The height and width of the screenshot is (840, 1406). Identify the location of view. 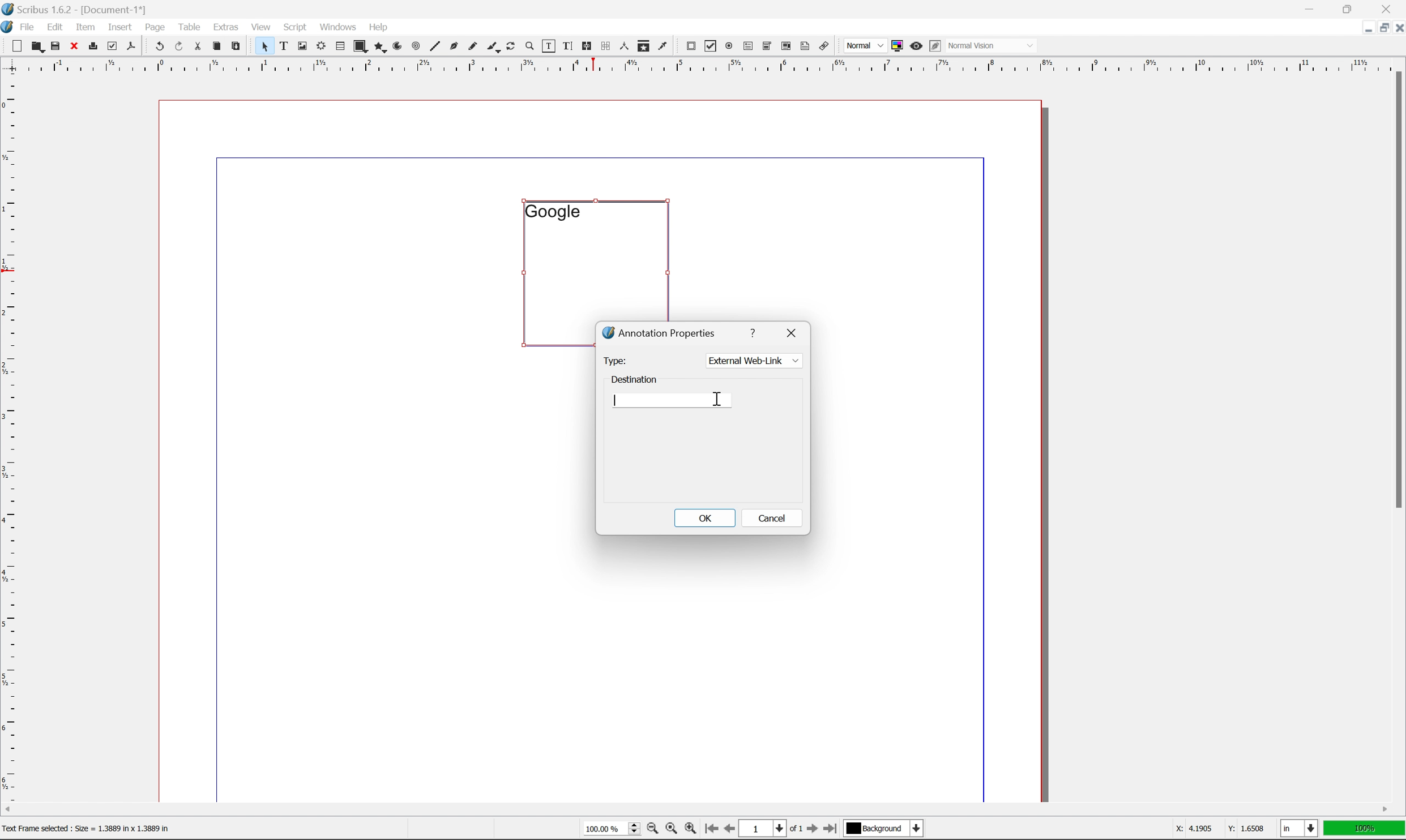
(263, 26).